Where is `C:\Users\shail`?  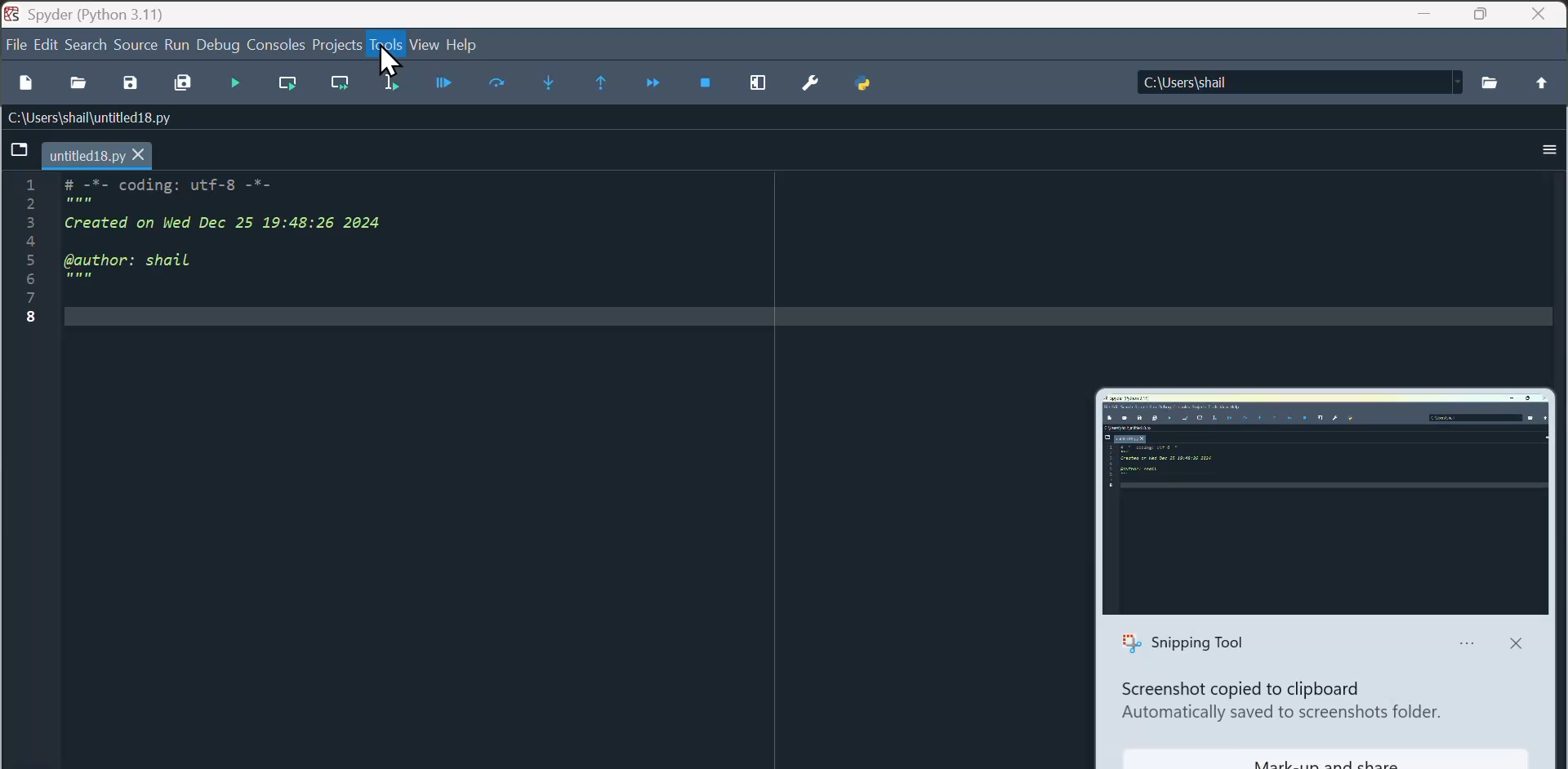 C:\Users\shail is located at coordinates (1299, 82).